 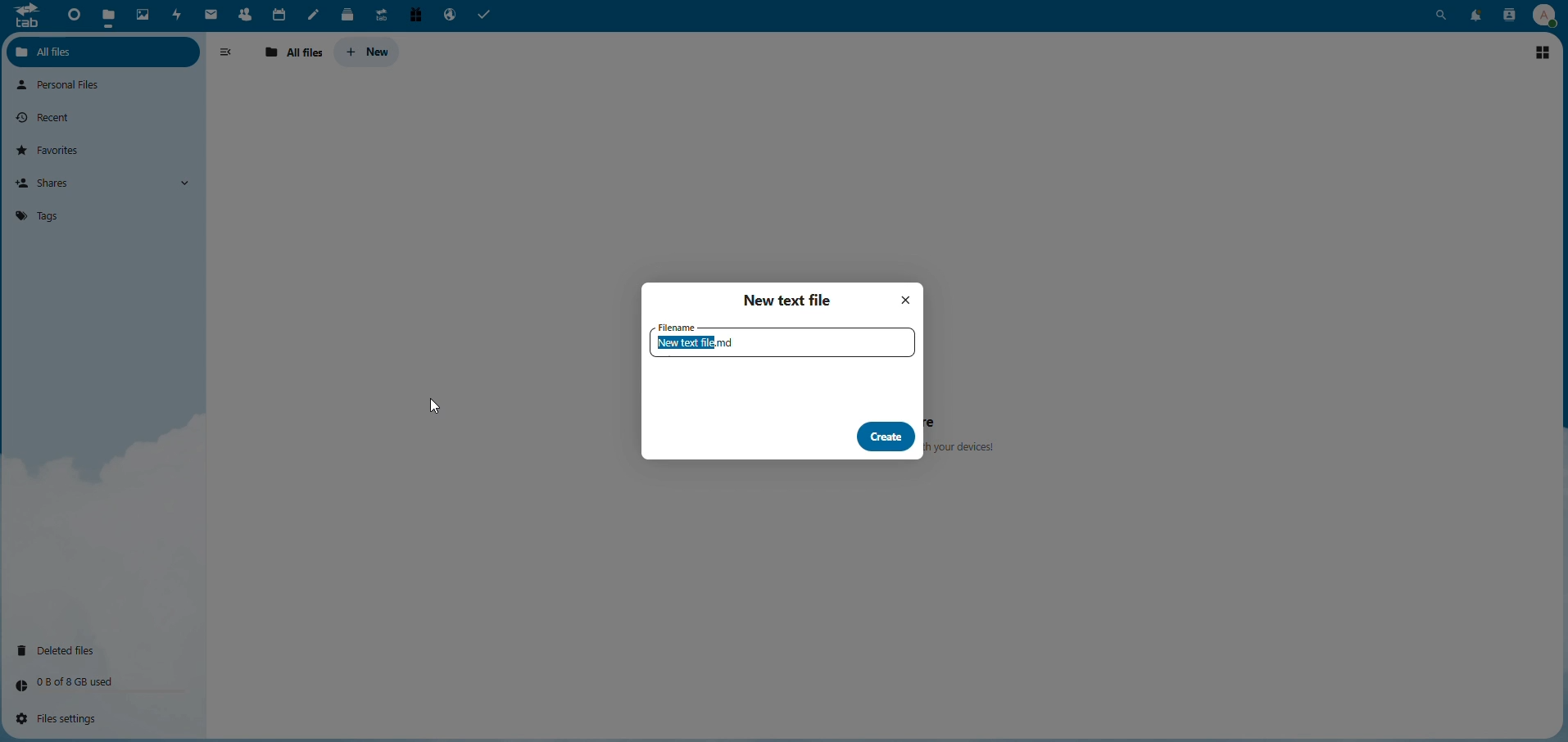 What do you see at coordinates (1443, 15) in the screenshot?
I see `Search` at bounding box center [1443, 15].